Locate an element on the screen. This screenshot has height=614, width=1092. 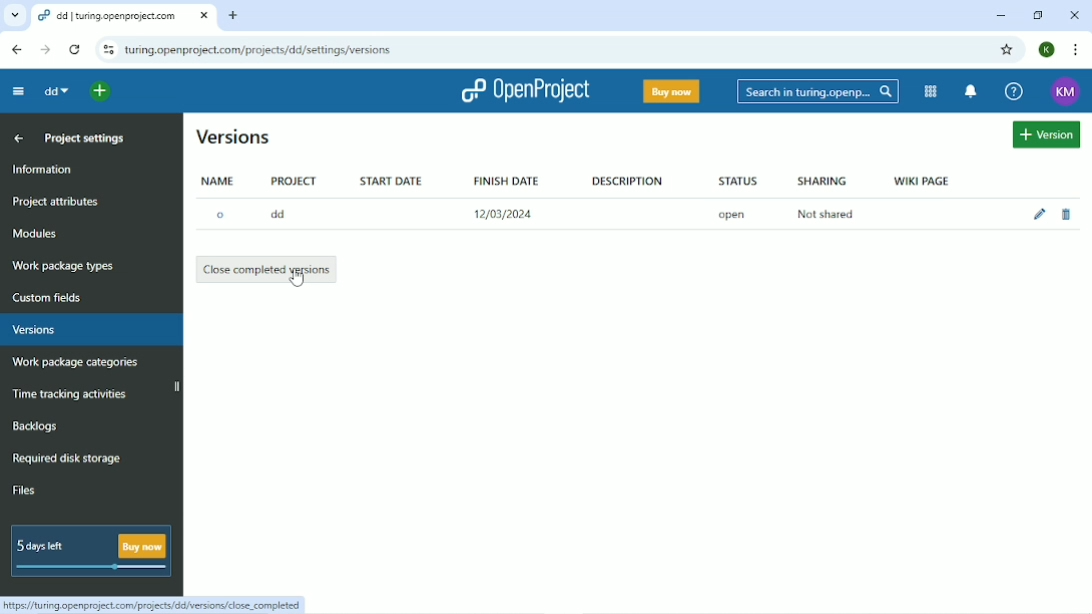
open is located at coordinates (733, 213).